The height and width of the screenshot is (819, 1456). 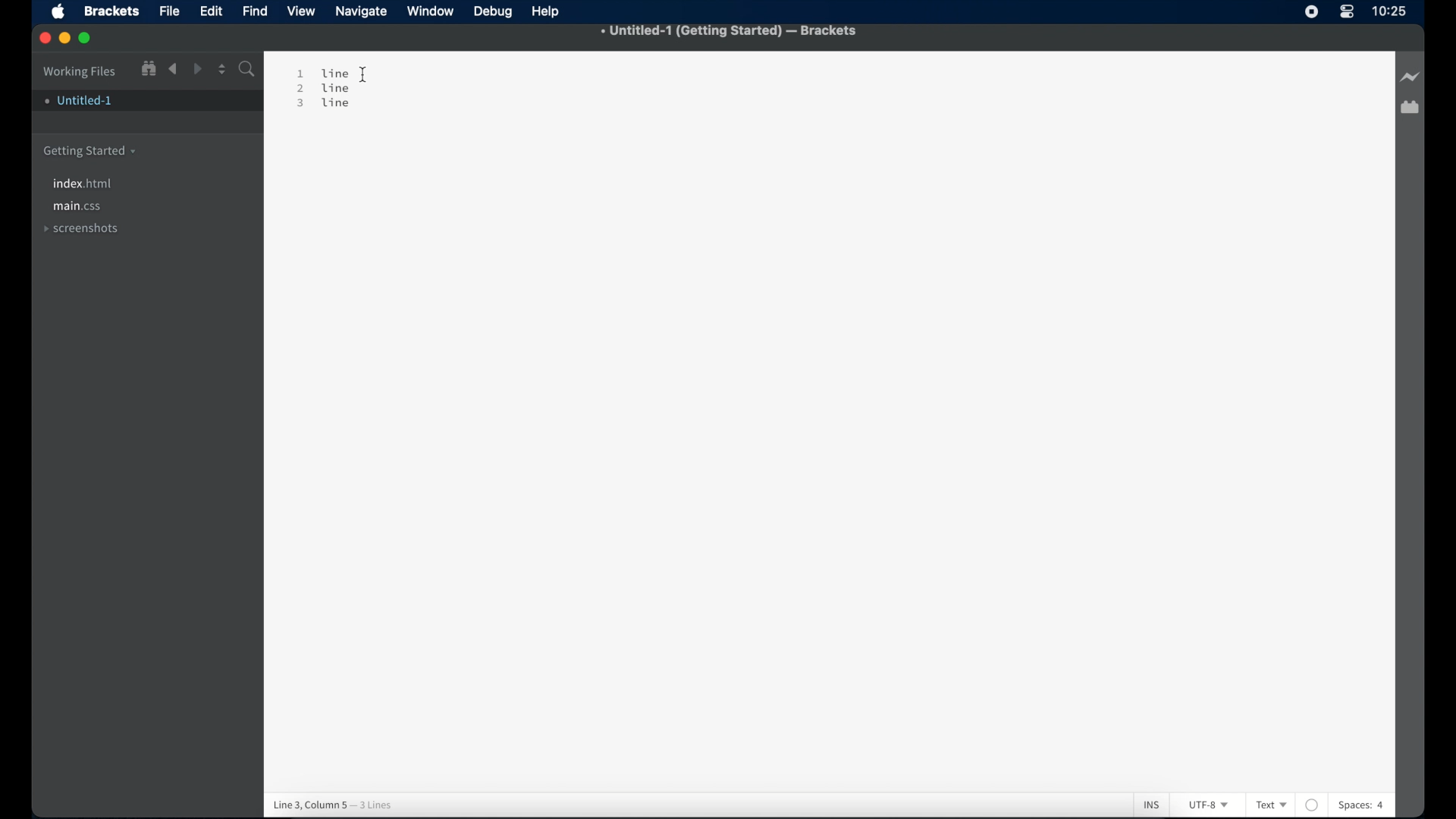 What do you see at coordinates (431, 11) in the screenshot?
I see `window` at bounding box center [431, 11].